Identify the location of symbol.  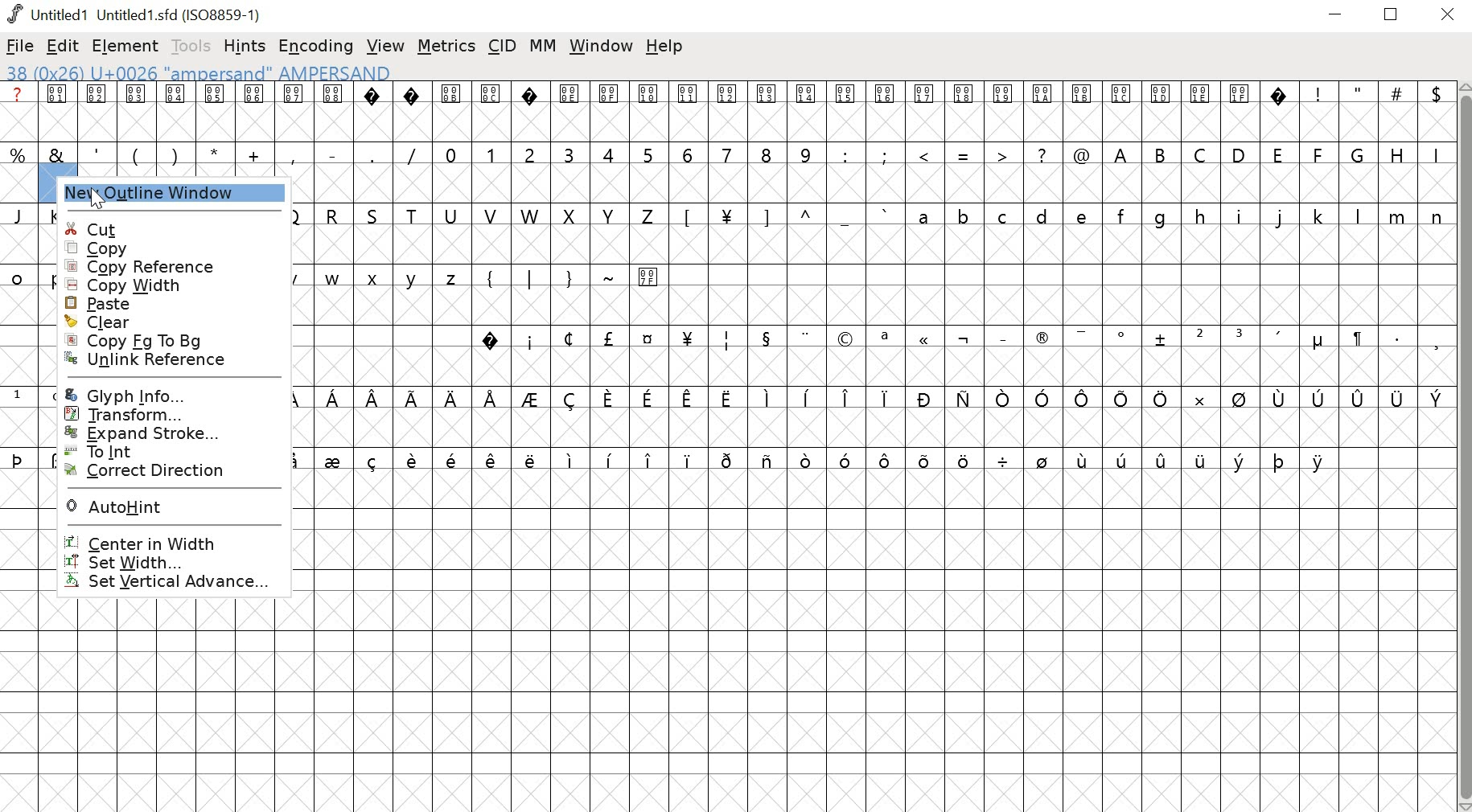
(964, 338).